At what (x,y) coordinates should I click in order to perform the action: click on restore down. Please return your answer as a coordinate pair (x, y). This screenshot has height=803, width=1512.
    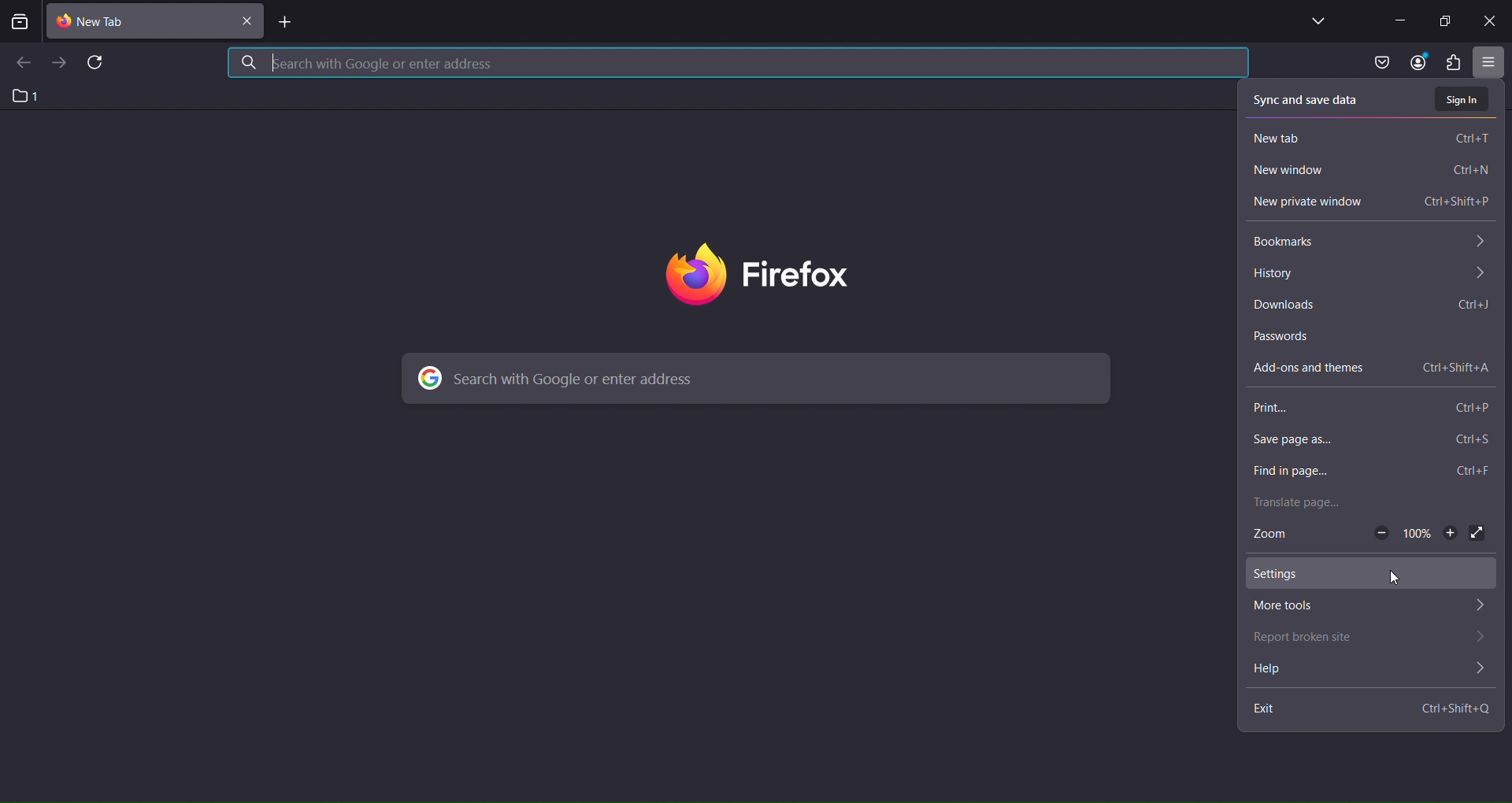
    Looking at the image, I should click on (1443, 22).